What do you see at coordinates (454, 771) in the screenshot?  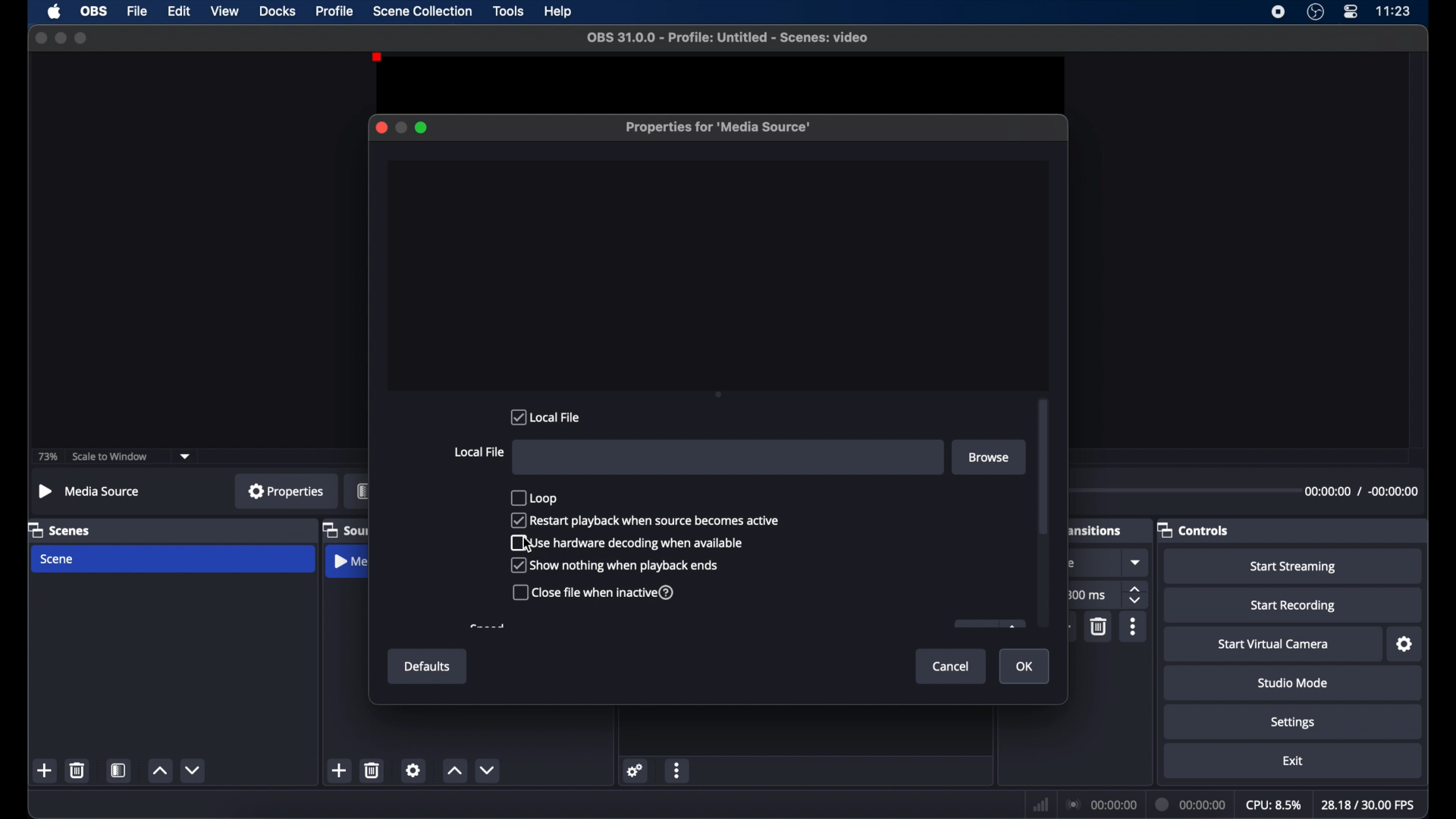 I see `increment` at bounding box center [454, 771].